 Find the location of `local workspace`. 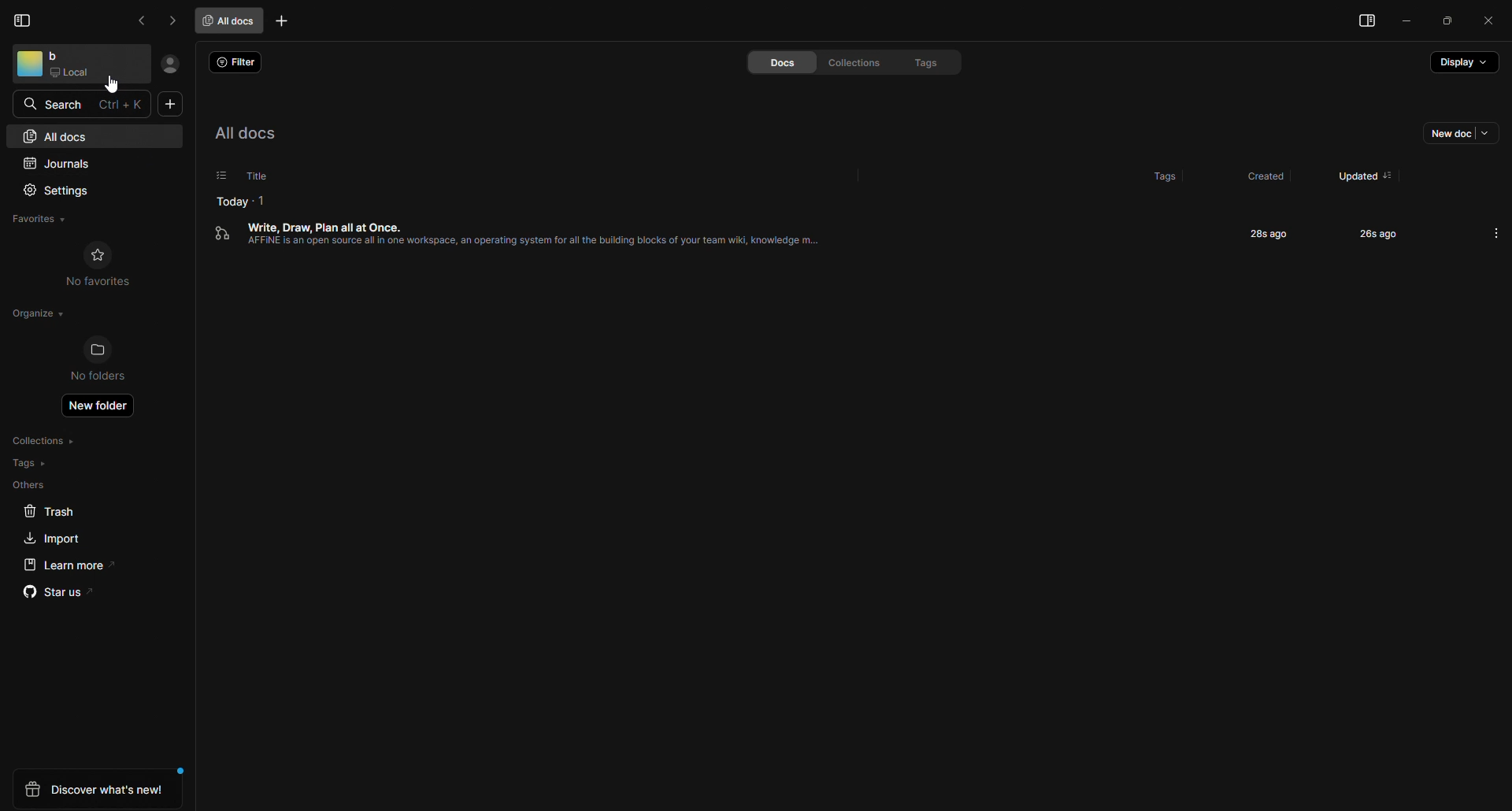

local workspace is located at coordinates (76, 65).